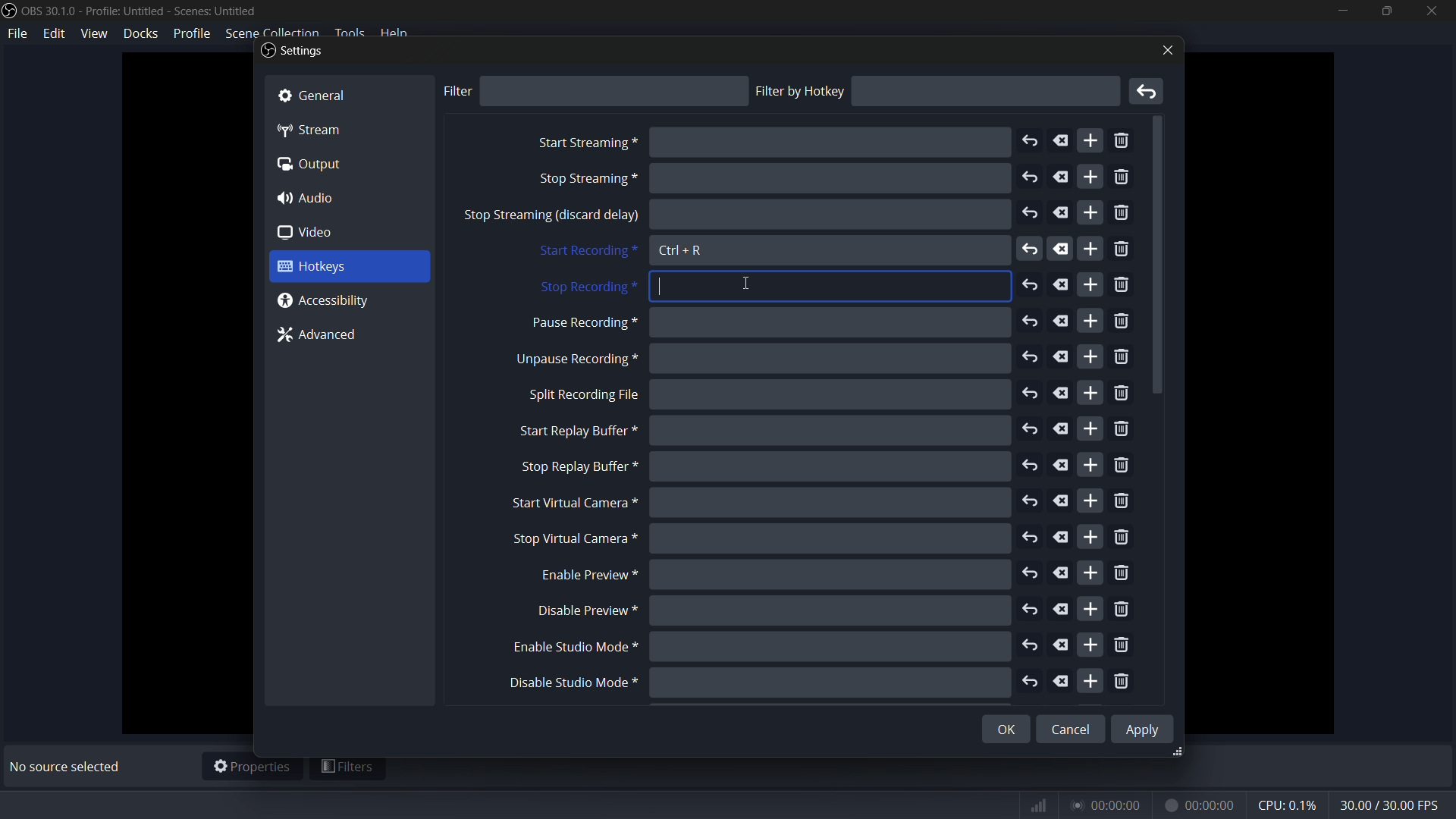  I want to click on start recording, so click(585, 252).